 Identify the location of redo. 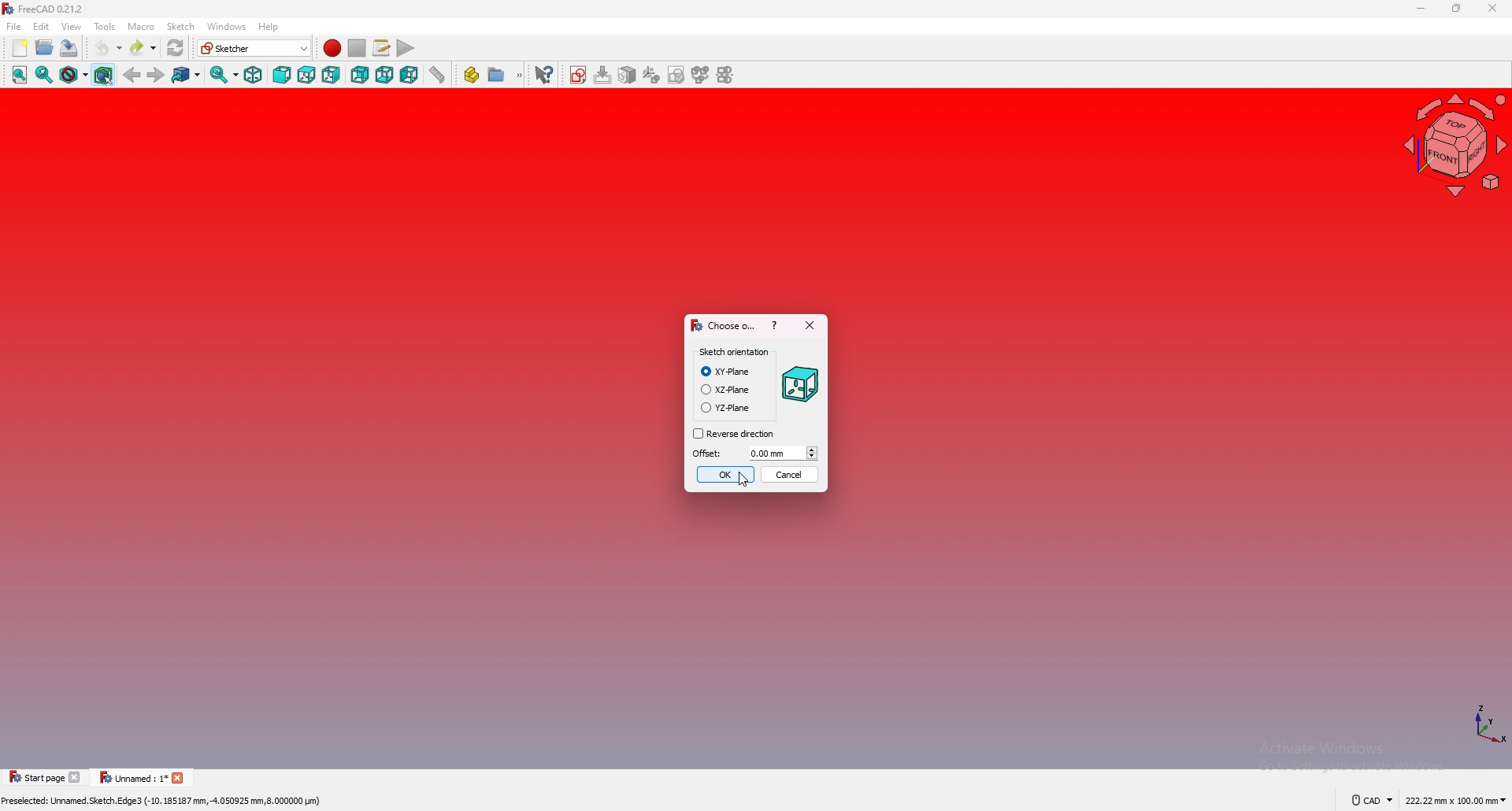
(144, 47).